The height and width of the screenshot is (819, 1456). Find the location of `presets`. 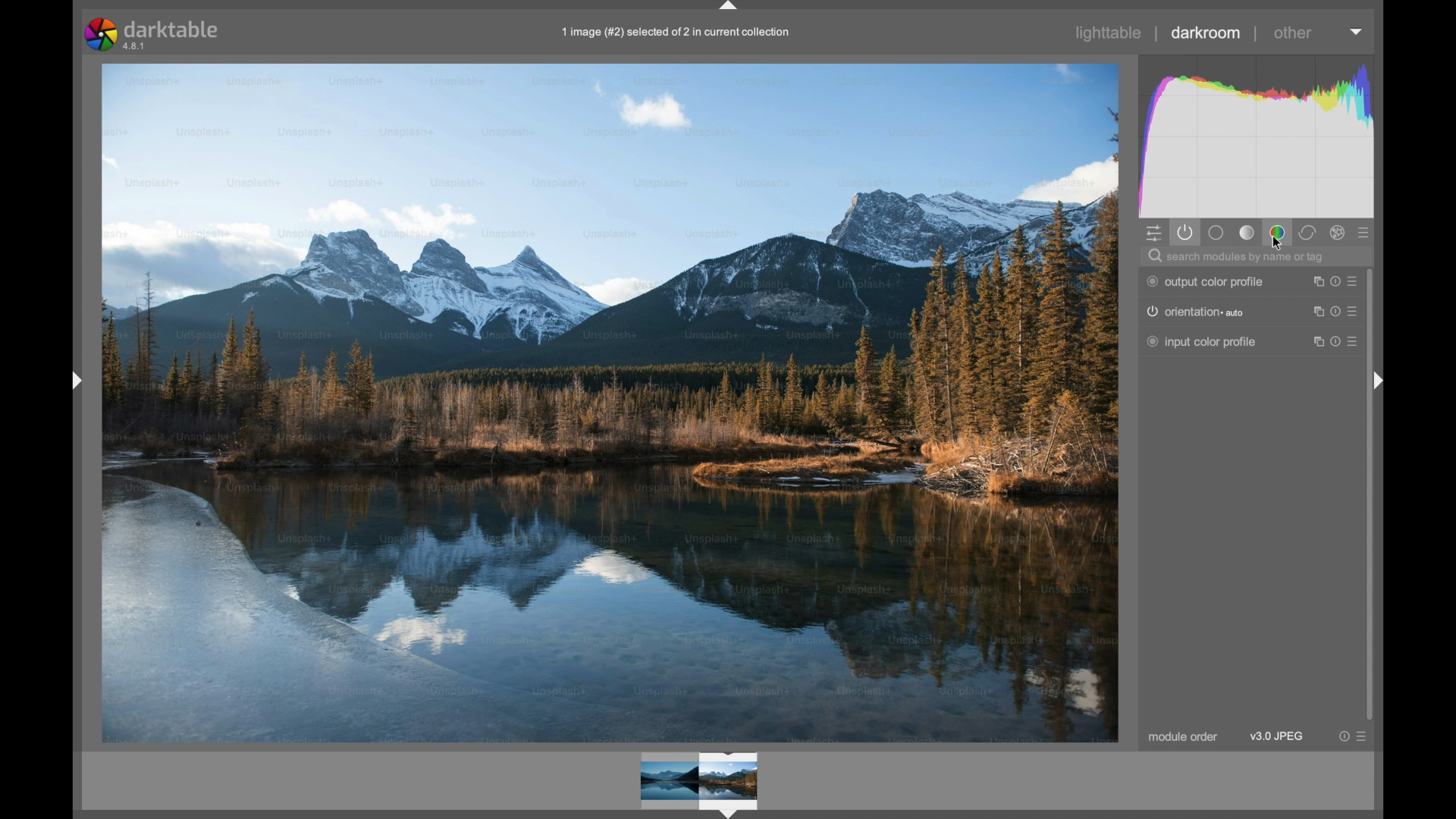

presets is located at coordinates (1364, 736).